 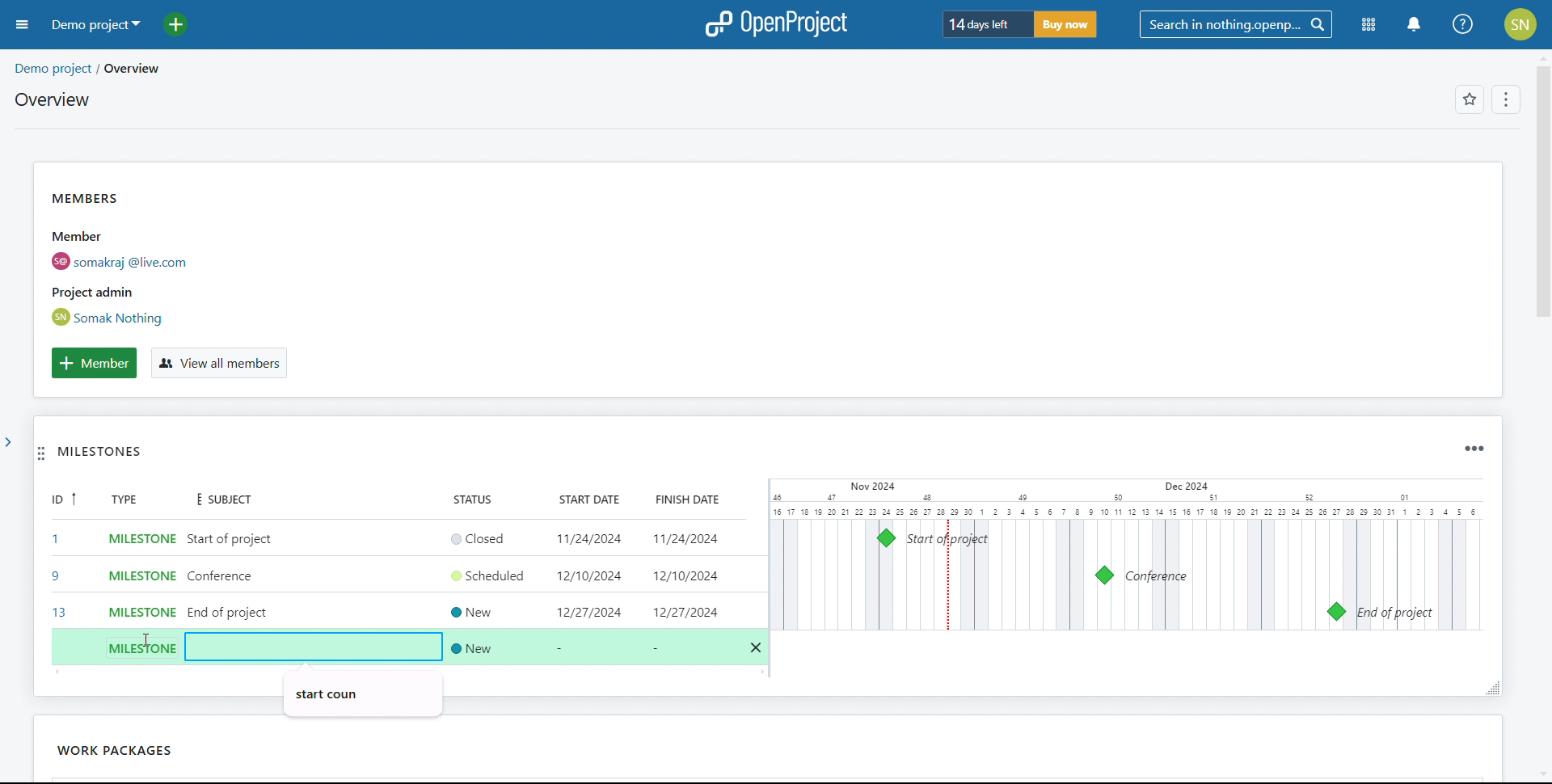 I want to click on finish date, so click(x=681, y=499).